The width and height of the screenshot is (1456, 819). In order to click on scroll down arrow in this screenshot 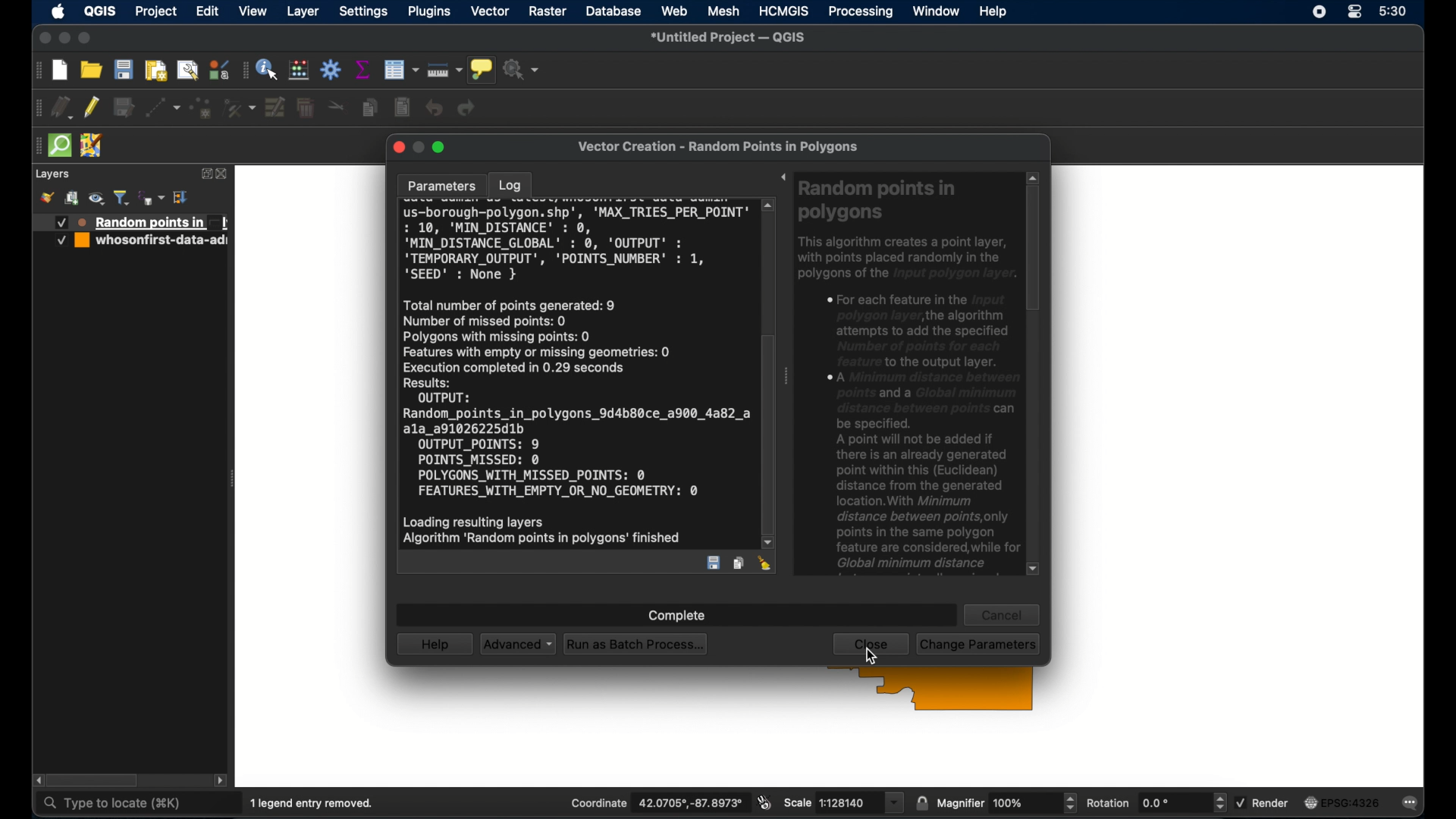, I will do `click(770, 543)`.